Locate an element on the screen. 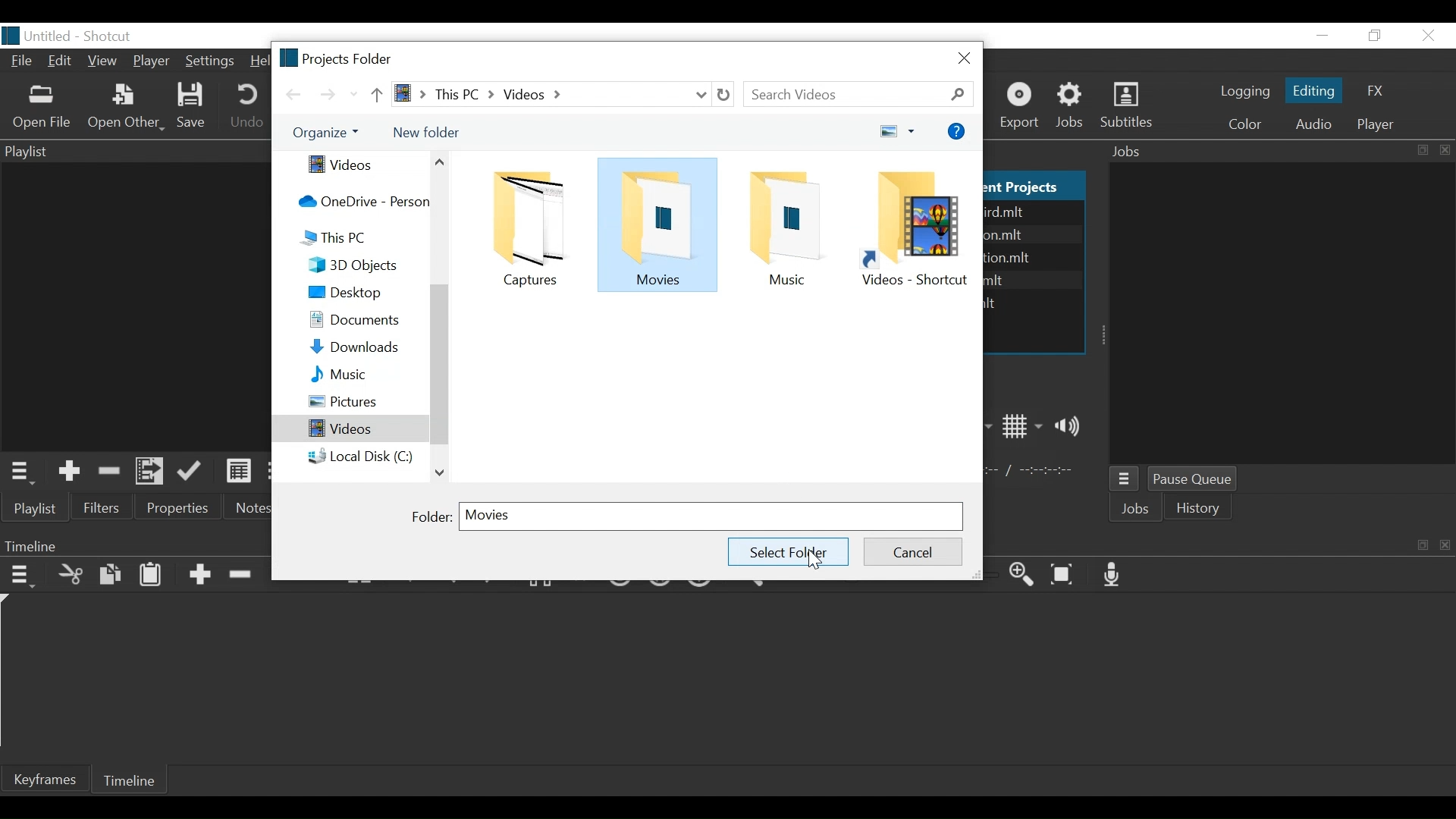 The height and width of the screenshot is (819, 1456). OneDrive is located at coordinates (361, 200).